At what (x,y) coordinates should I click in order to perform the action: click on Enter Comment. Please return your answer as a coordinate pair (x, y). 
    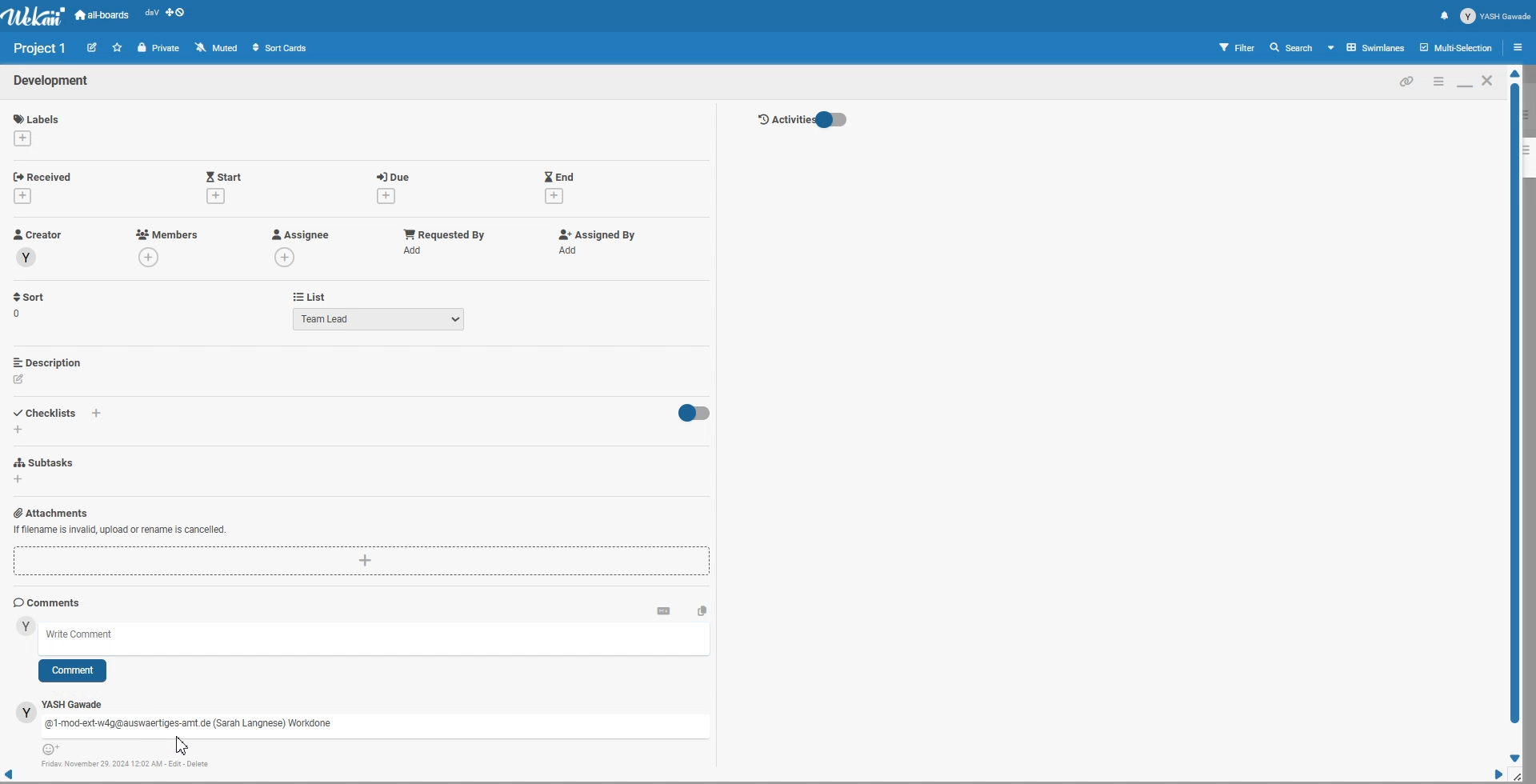
    Looking at the image, I should click on (379, 638).